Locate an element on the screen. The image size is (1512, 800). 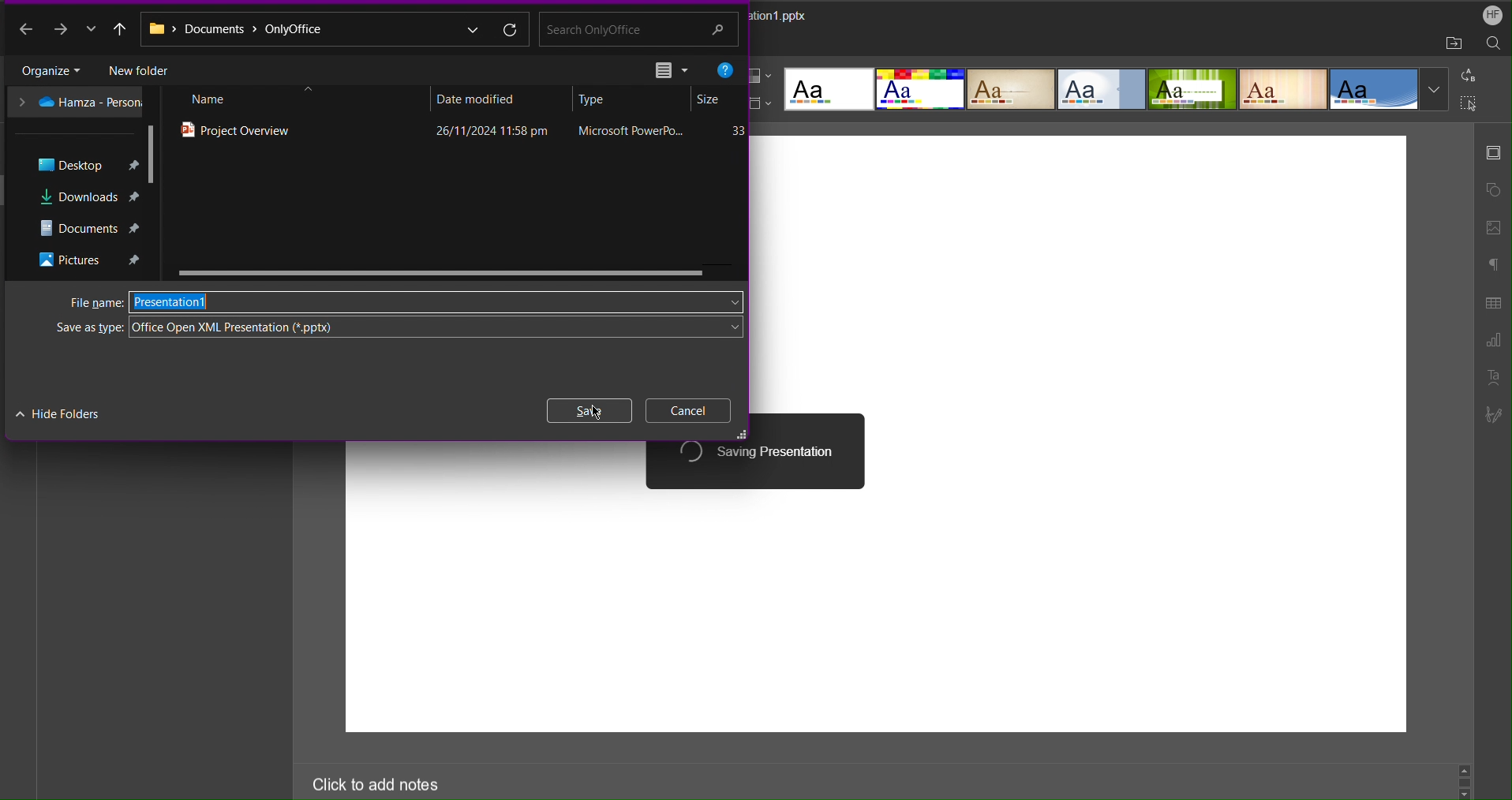
close up is located at coordinates (309, 91).